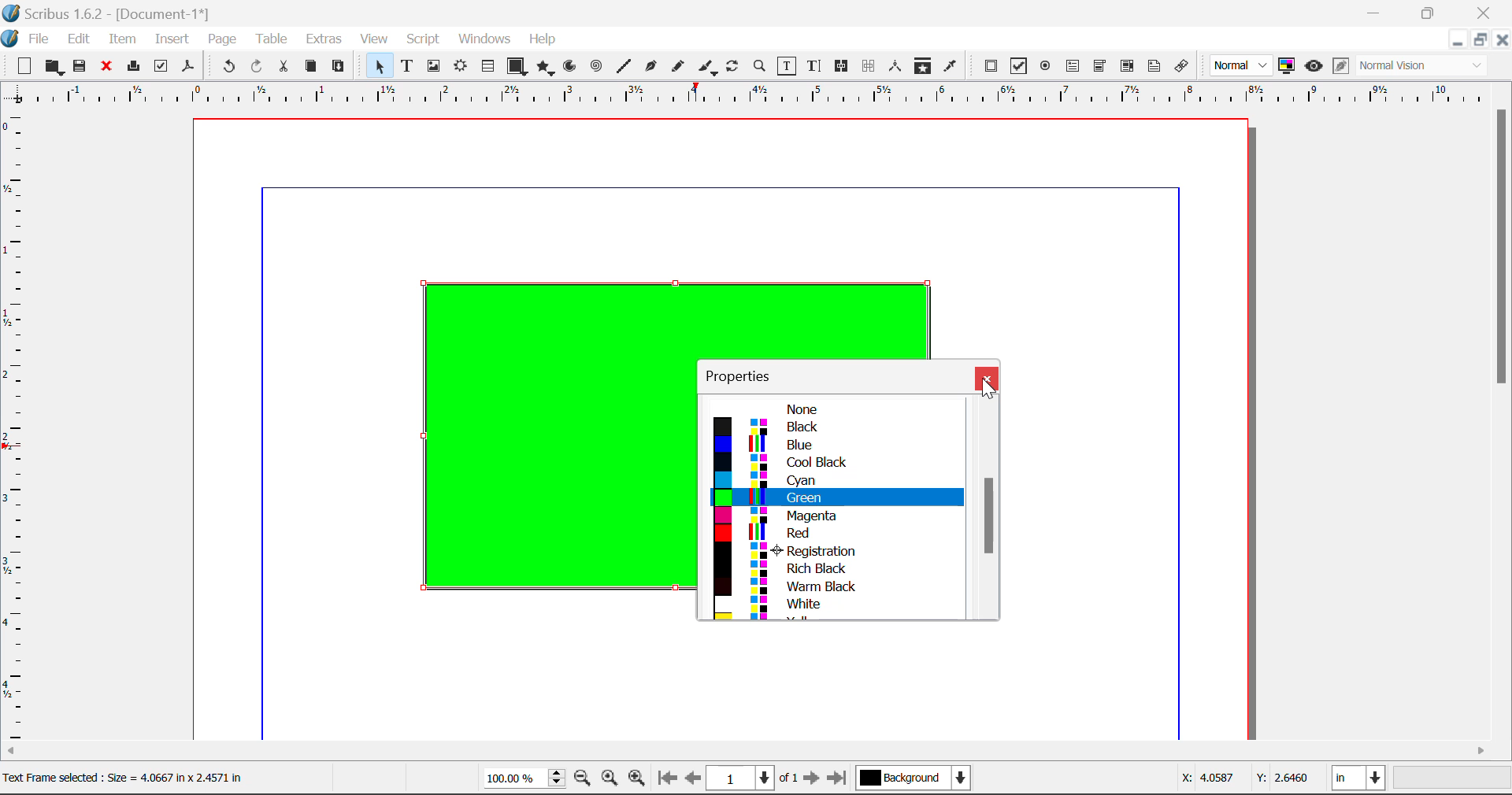 The image size is (1512, 795). What do you see at coordinates (836, 479) in the screenshot?
I see `Cyan` at bounding box center [836, 479].